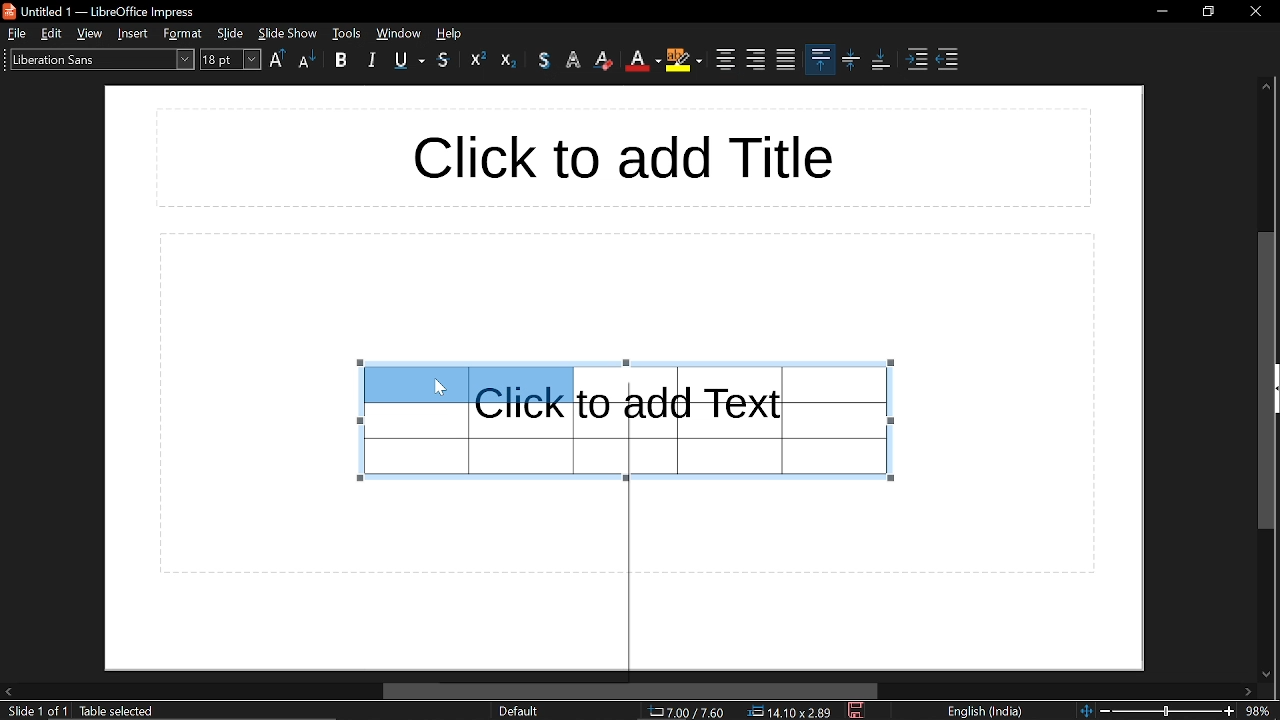 This screenshot has height=720, width=1280. I want to click on center, so click(723, 60).